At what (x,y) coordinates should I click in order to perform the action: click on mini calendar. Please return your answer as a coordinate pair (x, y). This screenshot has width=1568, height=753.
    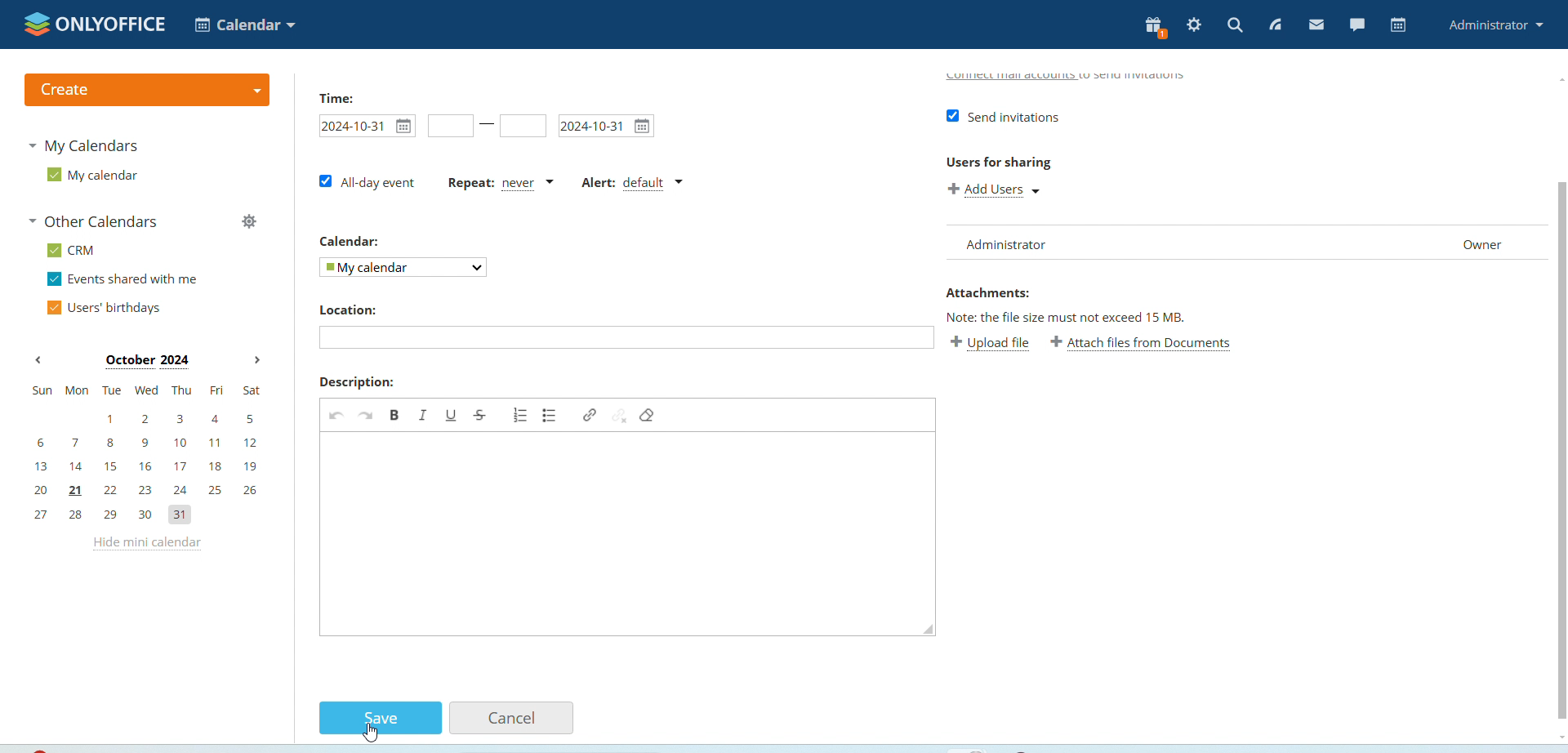
    Looking at the image, I should click on (149, 455).